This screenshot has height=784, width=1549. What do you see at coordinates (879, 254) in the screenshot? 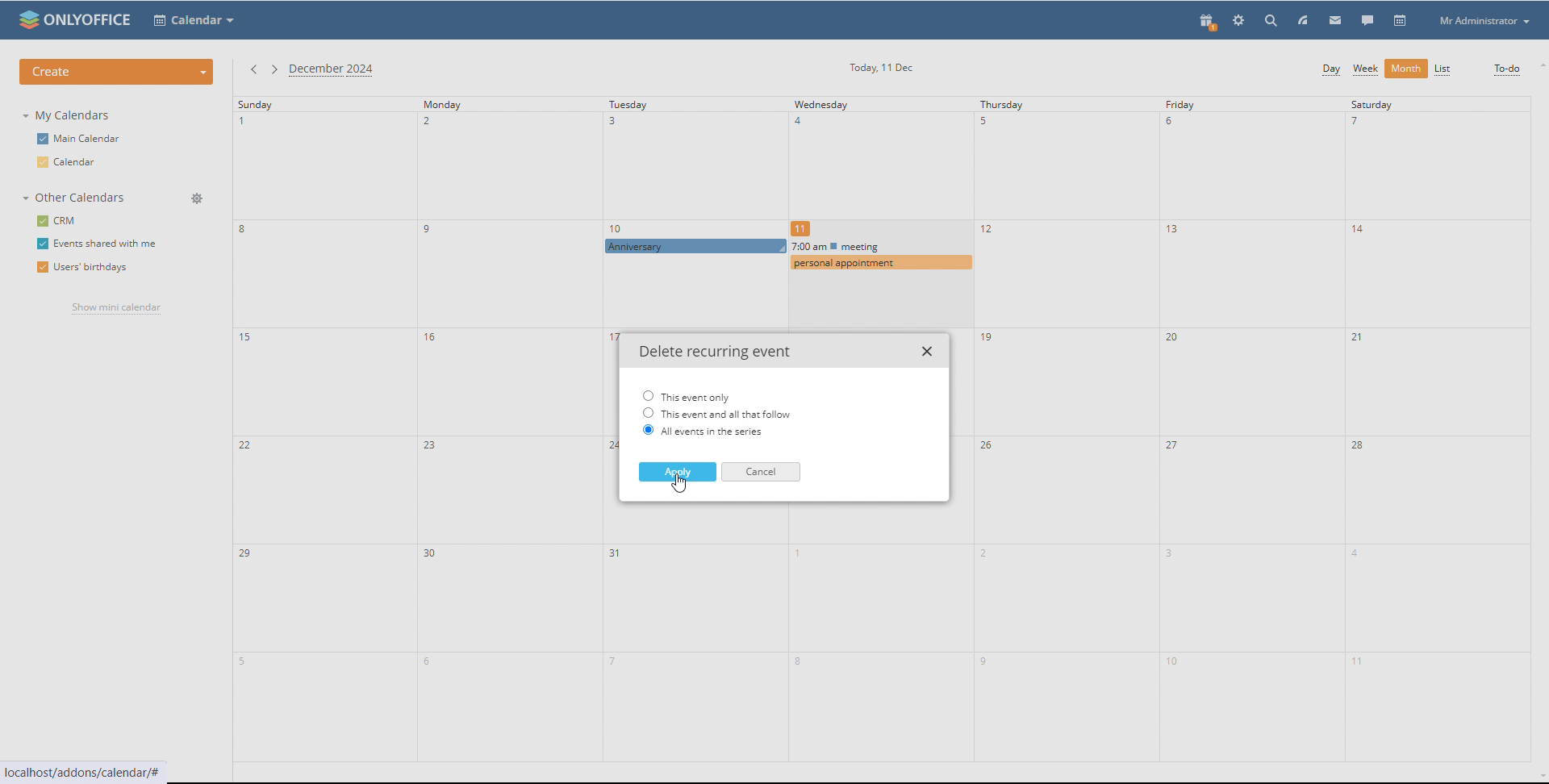
I see `other events` at bounding box center [879, 254].